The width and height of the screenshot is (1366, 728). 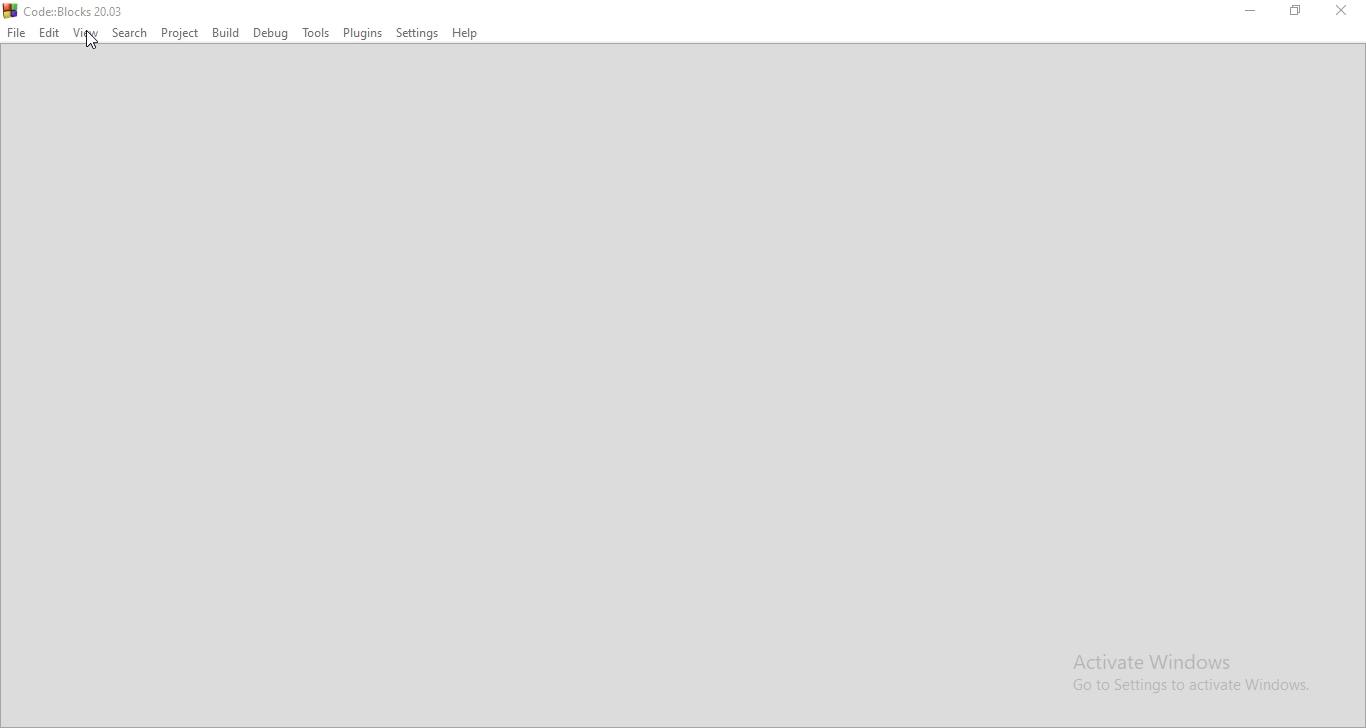 I want to click on Activate Windows, so click(x=1153, y=662).